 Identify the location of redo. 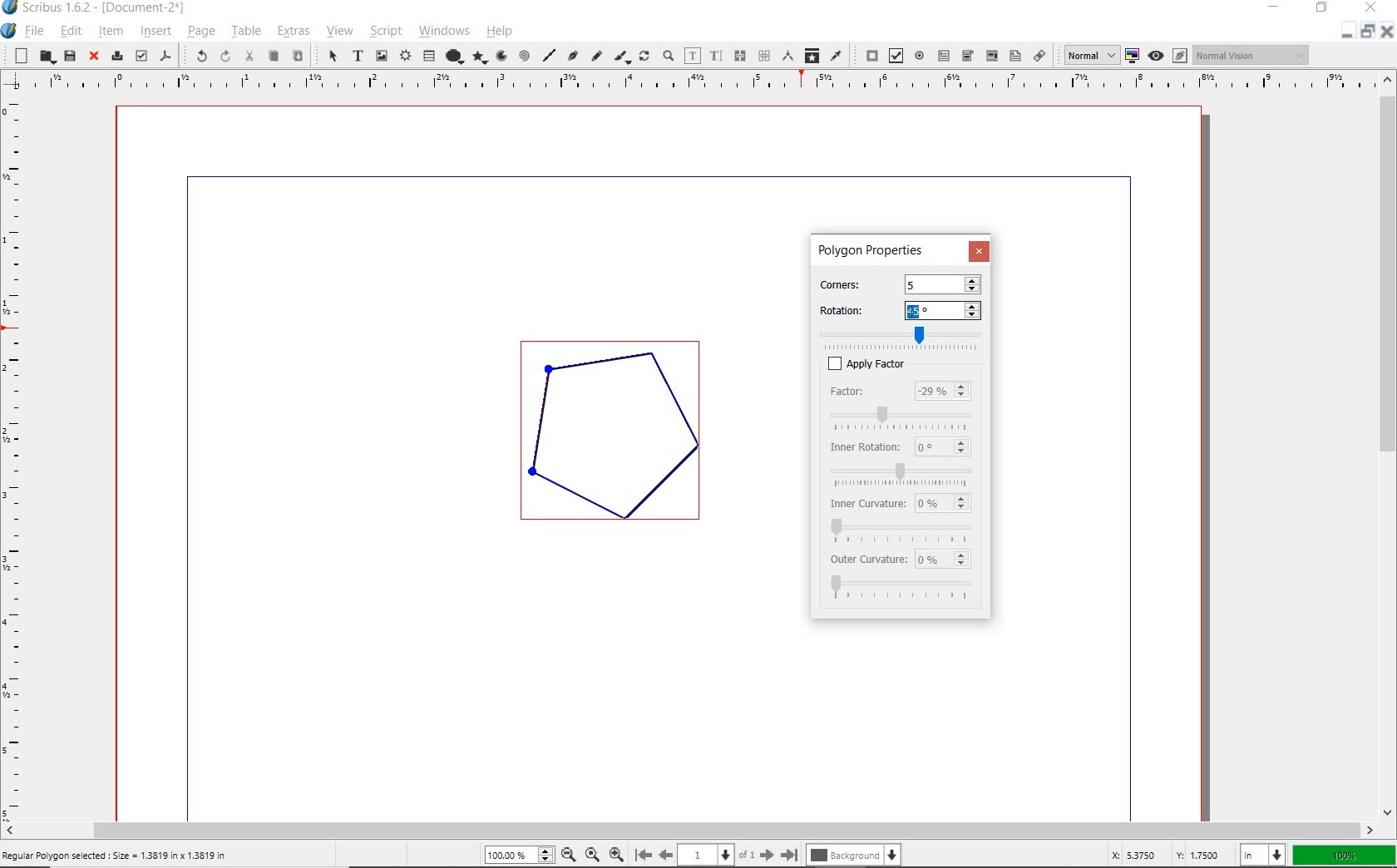
(225, 57).